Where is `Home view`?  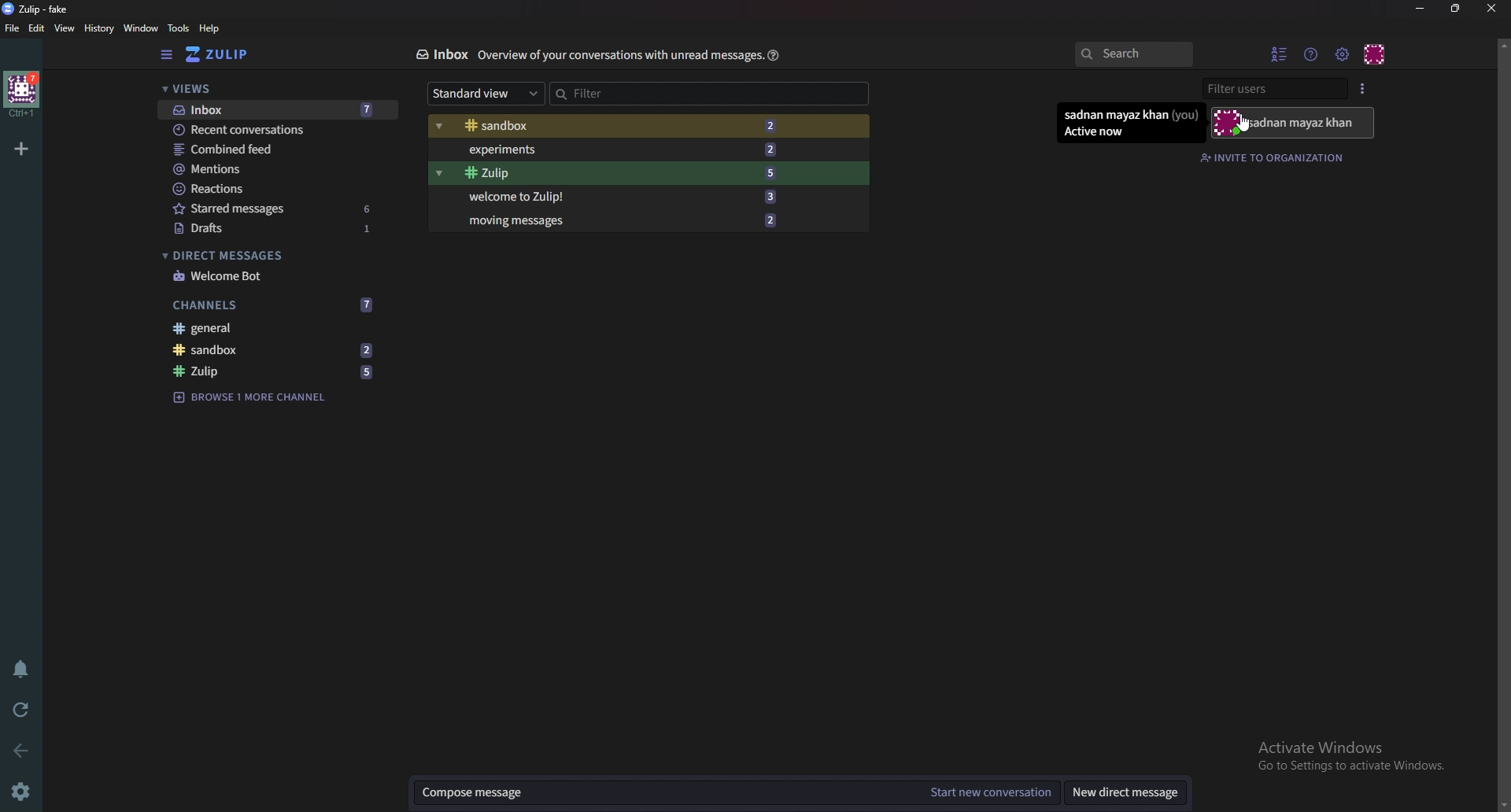
Home view is located at coordinates (222, 56).